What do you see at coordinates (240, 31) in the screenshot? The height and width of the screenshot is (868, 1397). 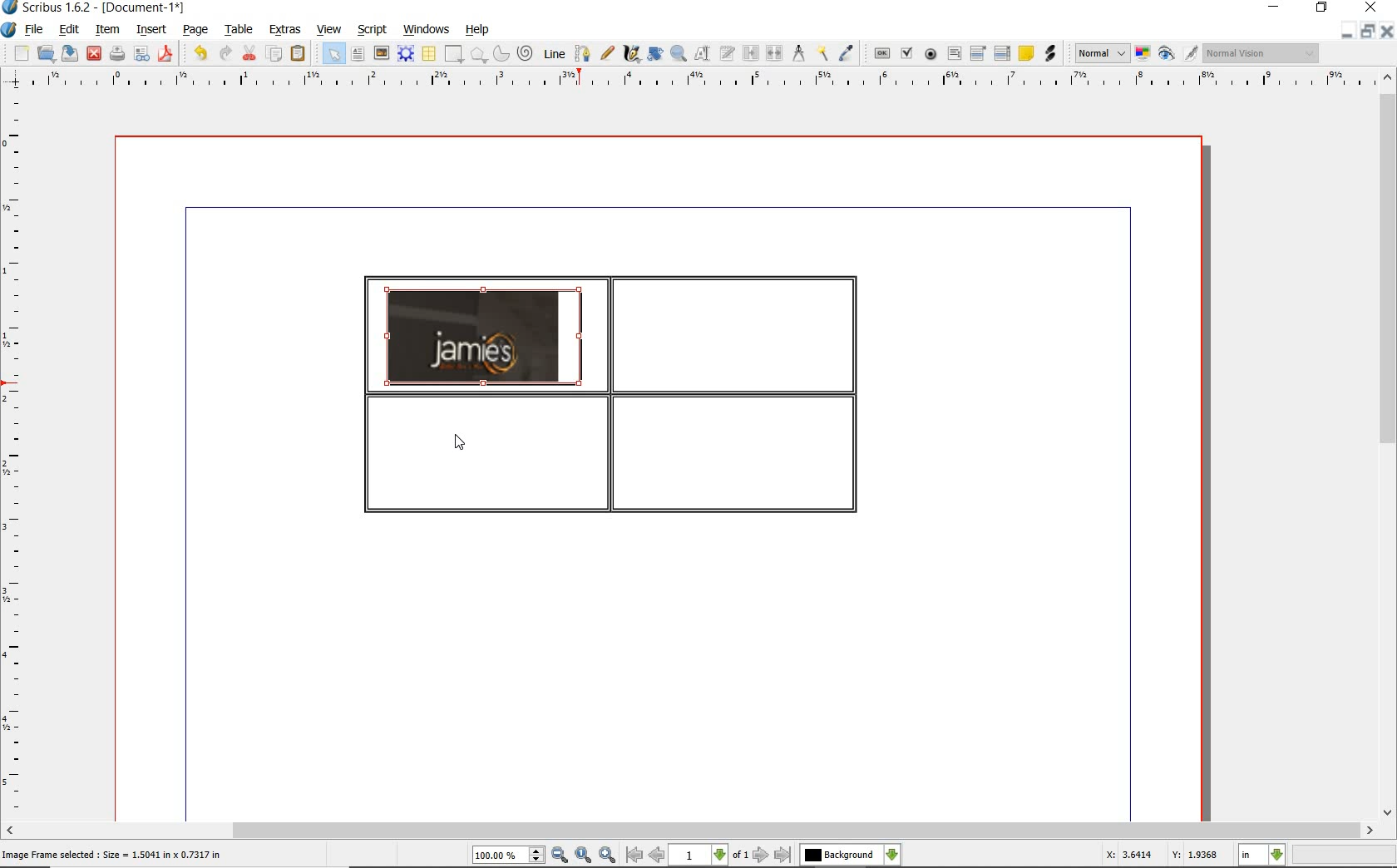 I see `table` at bounding box center [240, 31].